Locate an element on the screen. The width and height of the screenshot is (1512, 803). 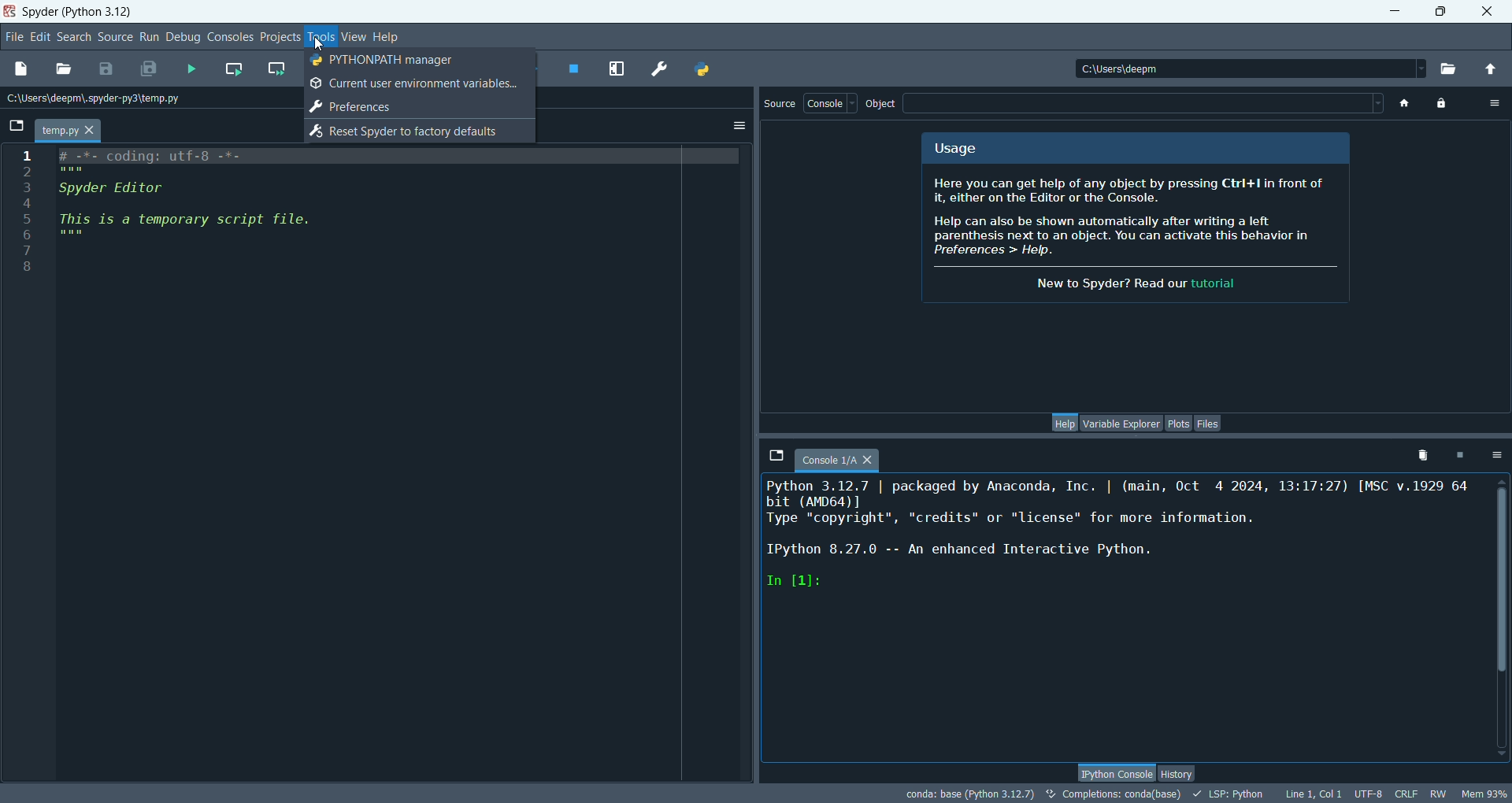
maximize is located at coordinates (1441, 9).